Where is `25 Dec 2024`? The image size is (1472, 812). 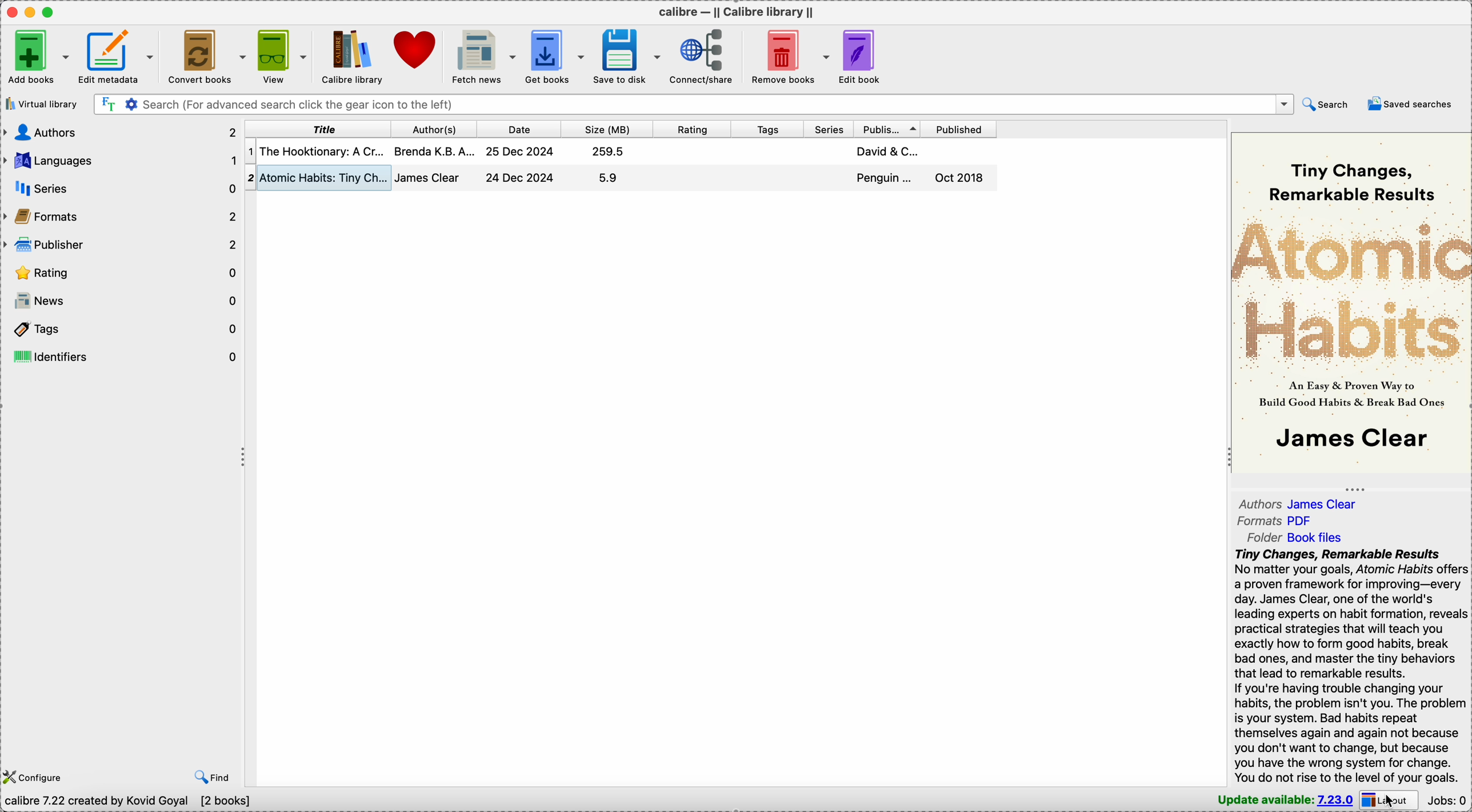 25 Dec 2024 is located at coordinates (520, 151).